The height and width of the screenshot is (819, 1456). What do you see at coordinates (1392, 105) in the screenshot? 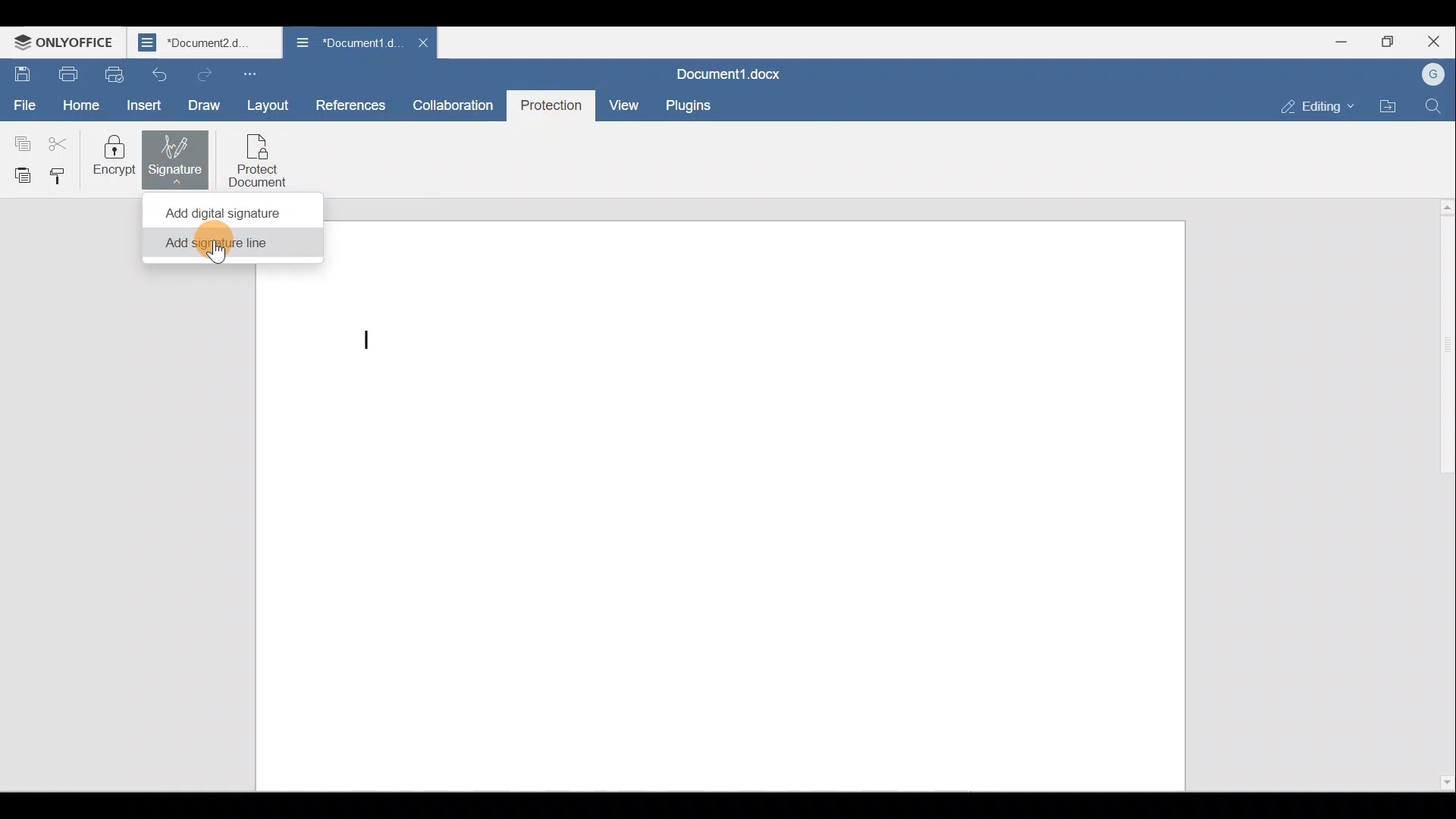
I see `Open file location` at bounding box center [1392, 105].